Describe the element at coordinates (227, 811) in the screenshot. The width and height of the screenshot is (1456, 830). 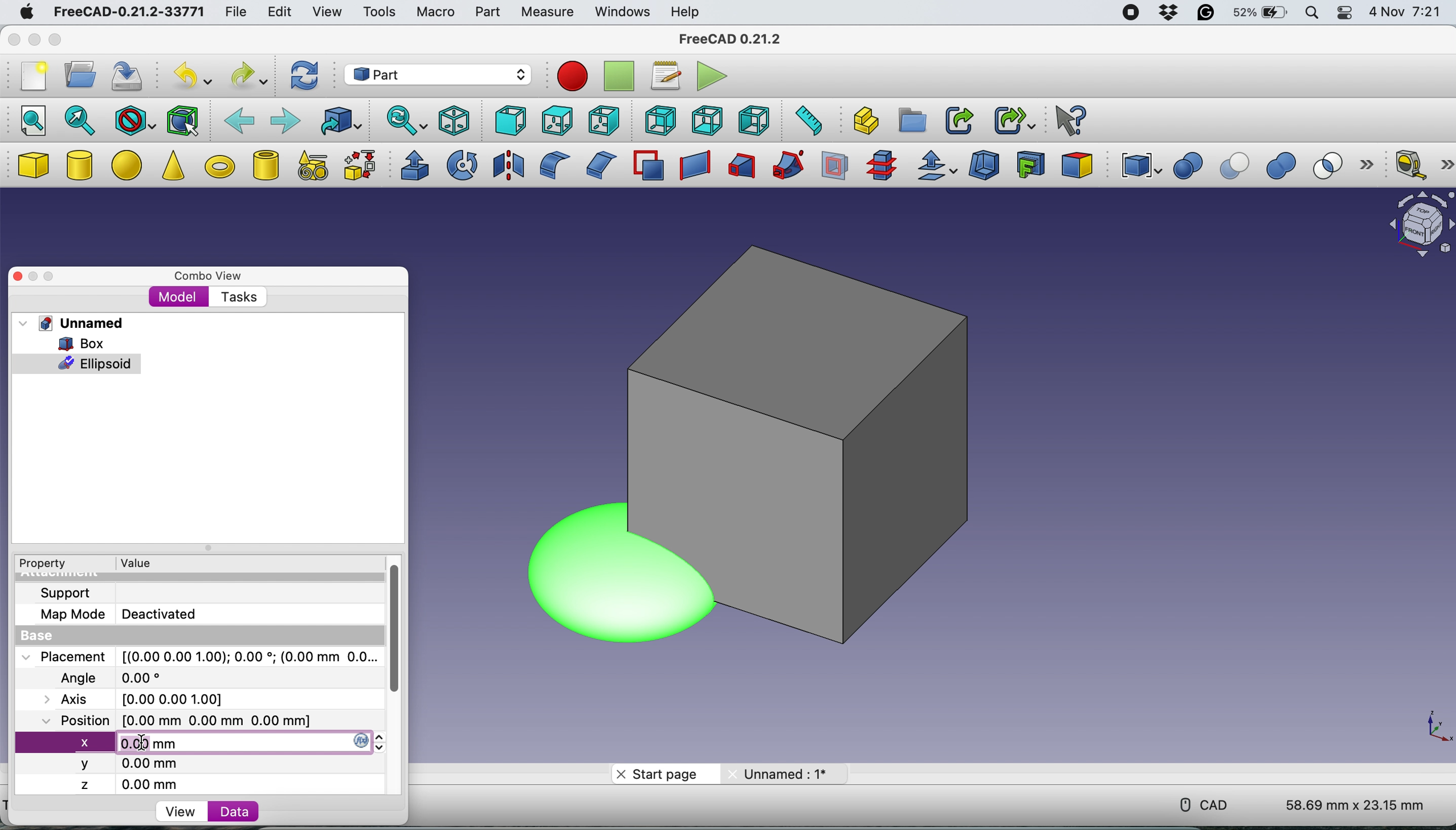
I see `data` at that location.